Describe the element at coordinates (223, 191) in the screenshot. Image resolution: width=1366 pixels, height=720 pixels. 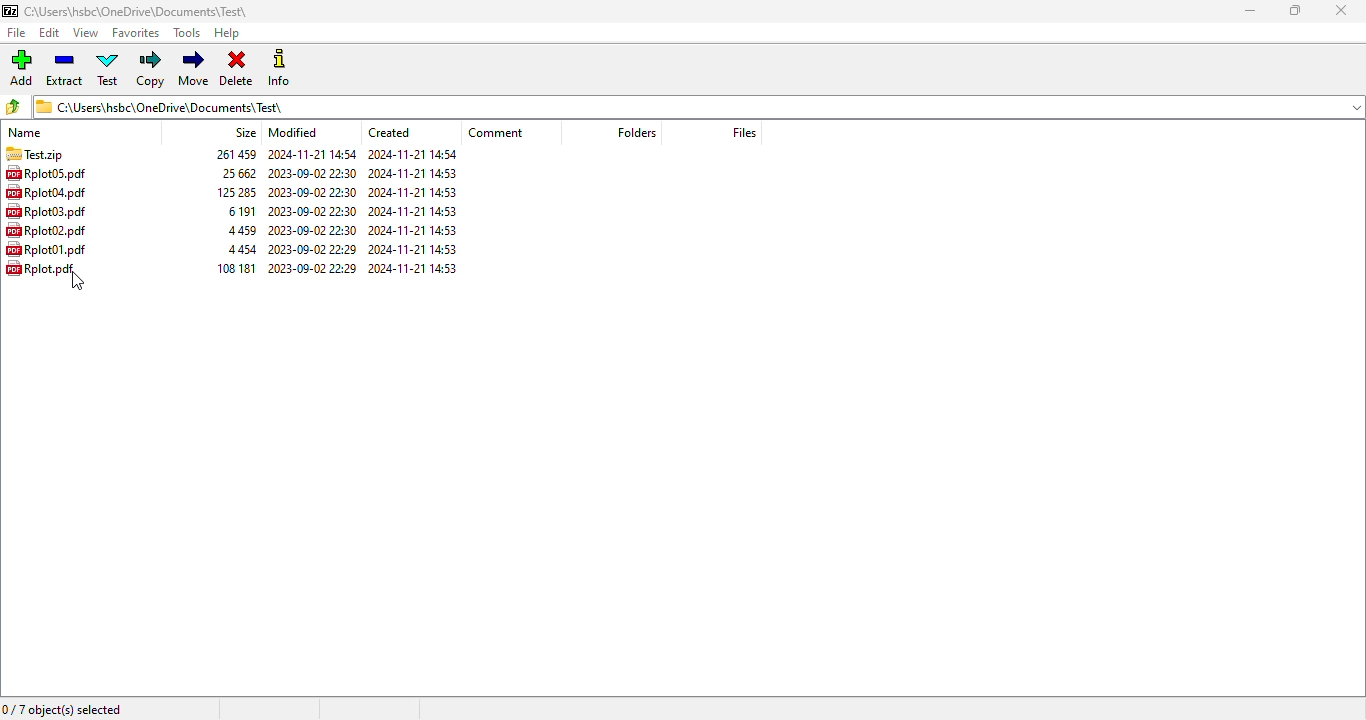
I see `125285` at that location.